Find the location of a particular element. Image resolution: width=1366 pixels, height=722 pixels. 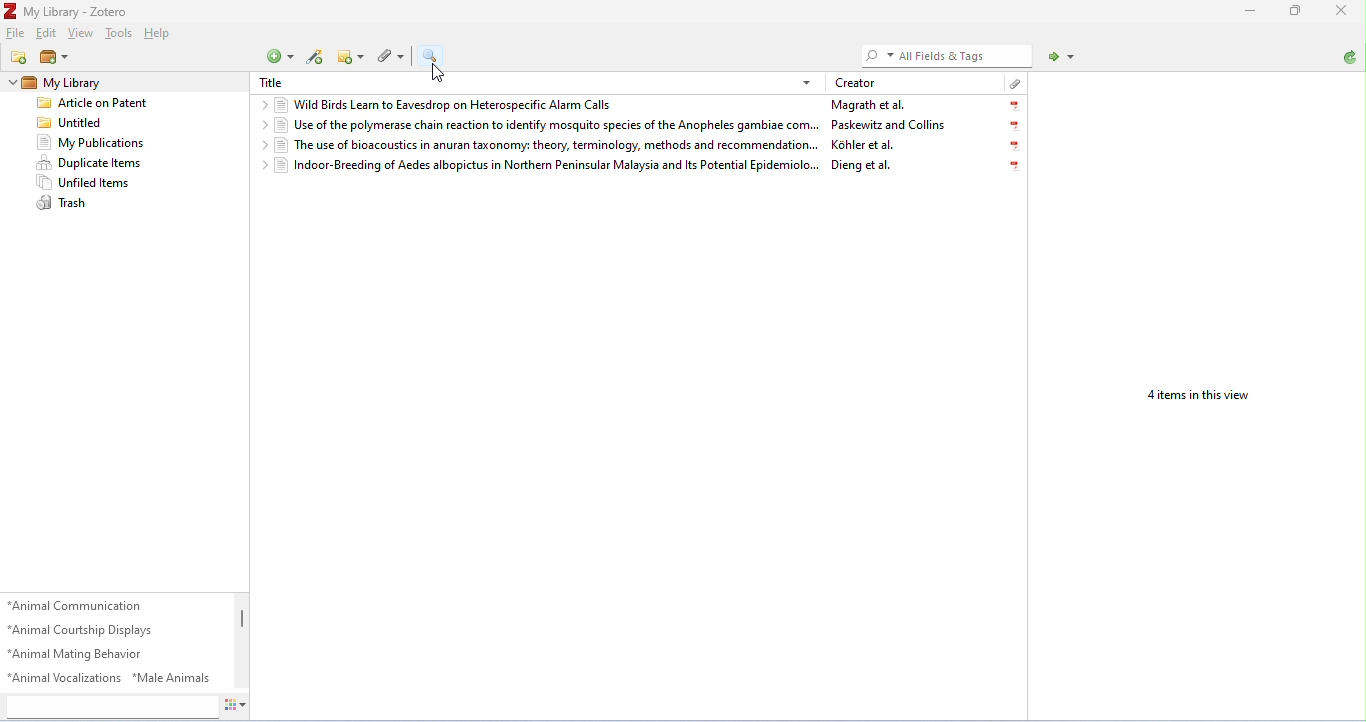

Use of the polymerase chain reaction to identify mosquito species of the Anopheles gambiae complex is located at coordinates (547, 126).